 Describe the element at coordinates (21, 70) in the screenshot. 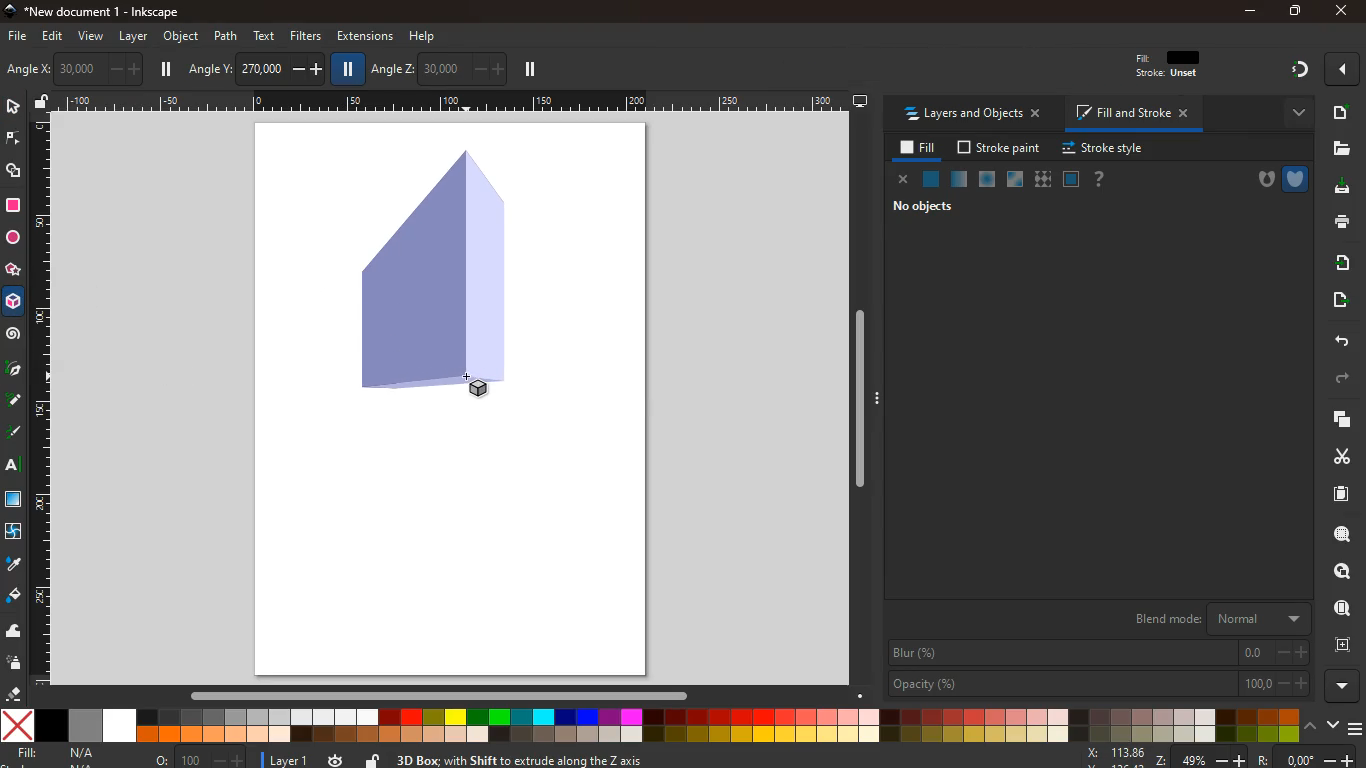

I see `photo` at that location.